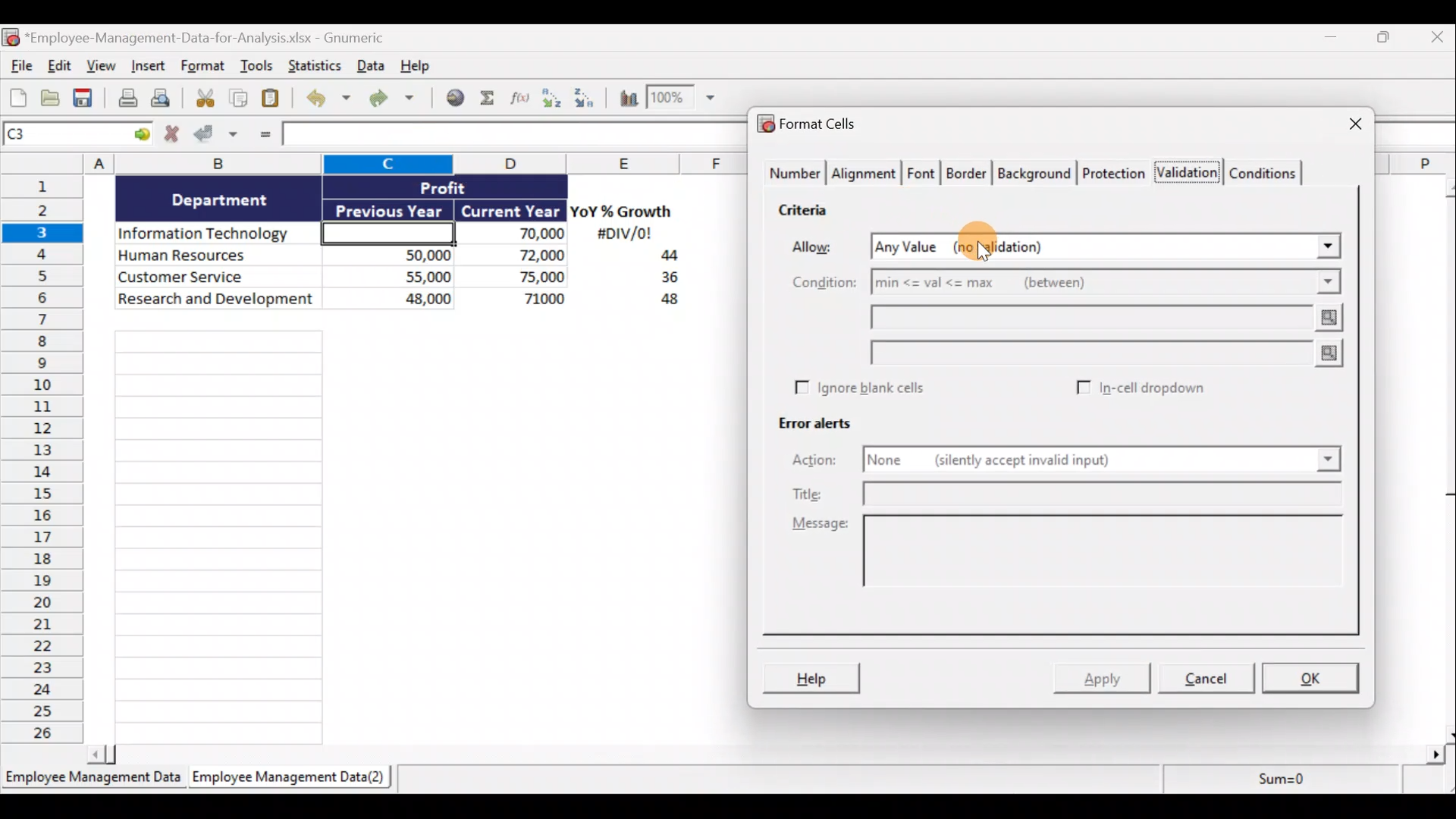  I want to click on Copy selection, so click(239, 99).